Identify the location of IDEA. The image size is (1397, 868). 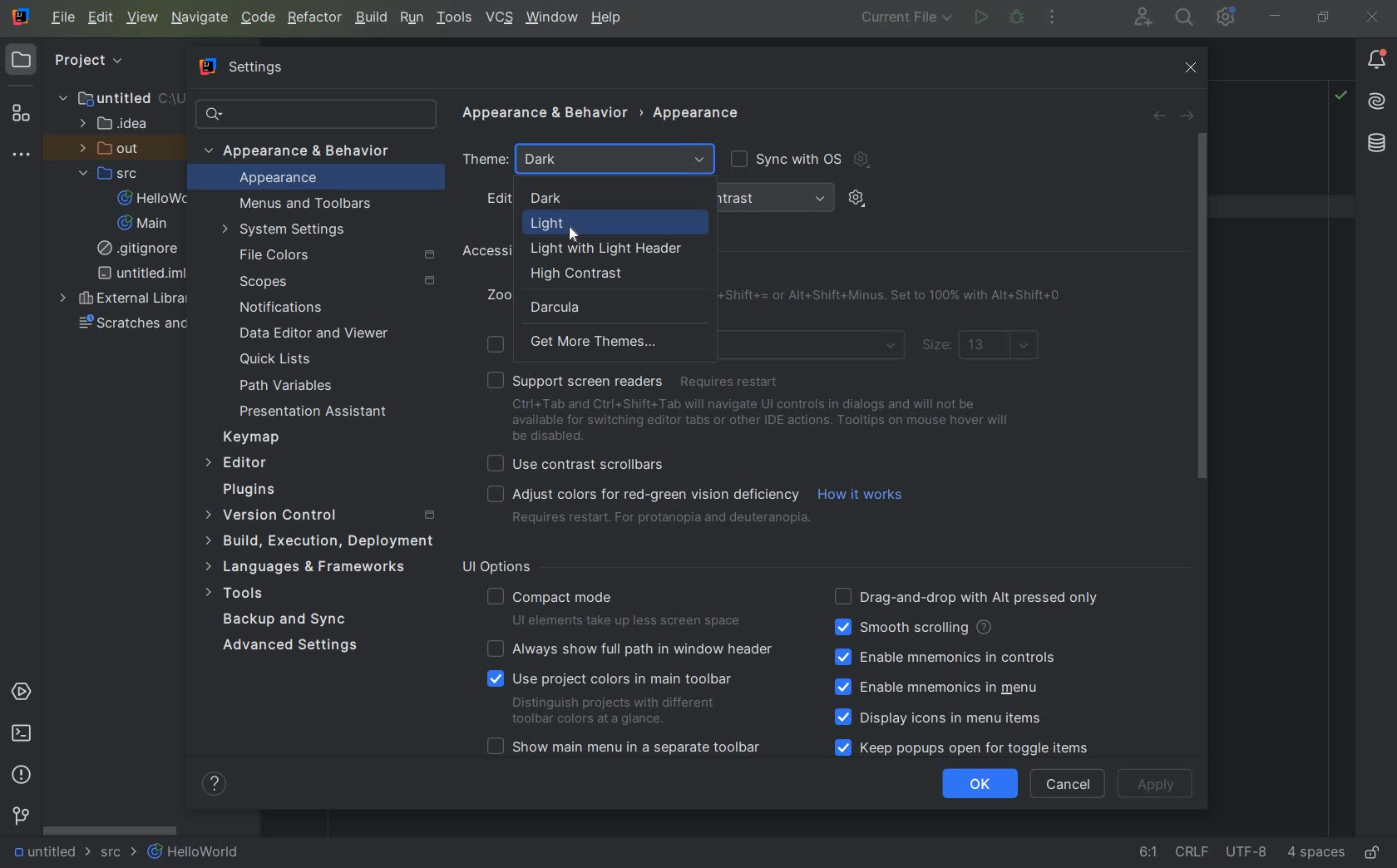
(118, 124).